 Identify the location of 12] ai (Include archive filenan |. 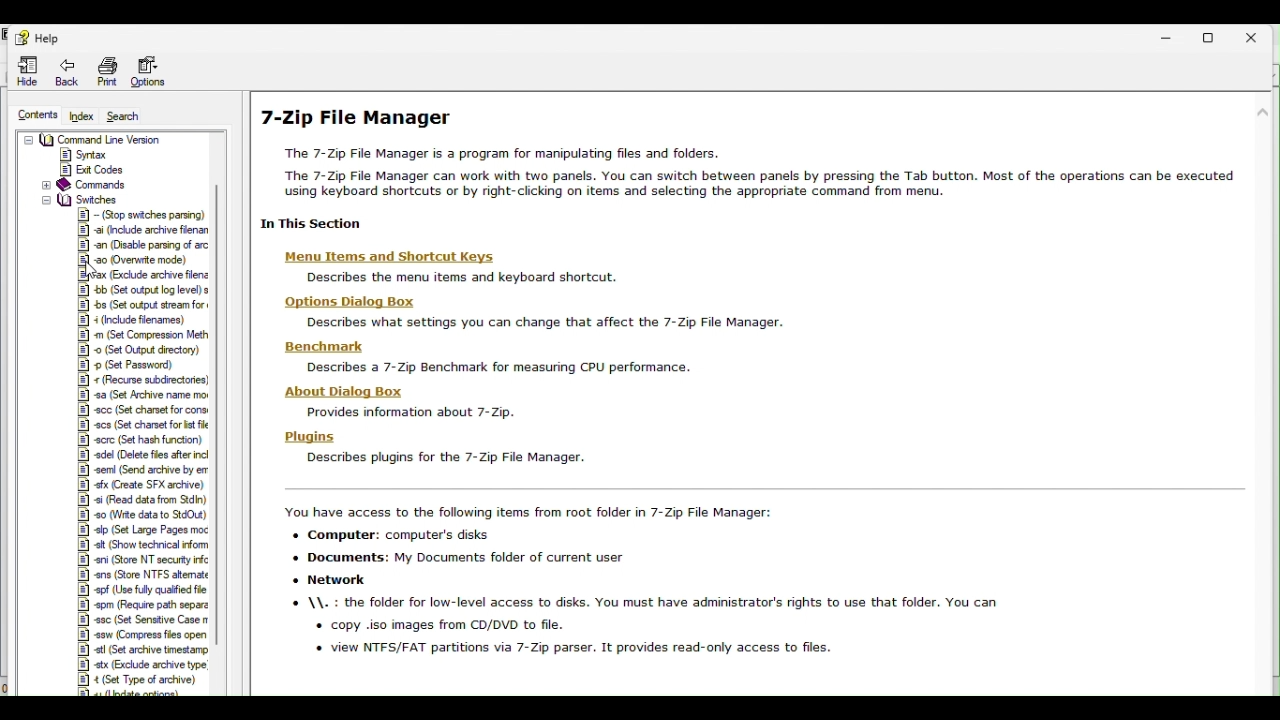
(148, 228).